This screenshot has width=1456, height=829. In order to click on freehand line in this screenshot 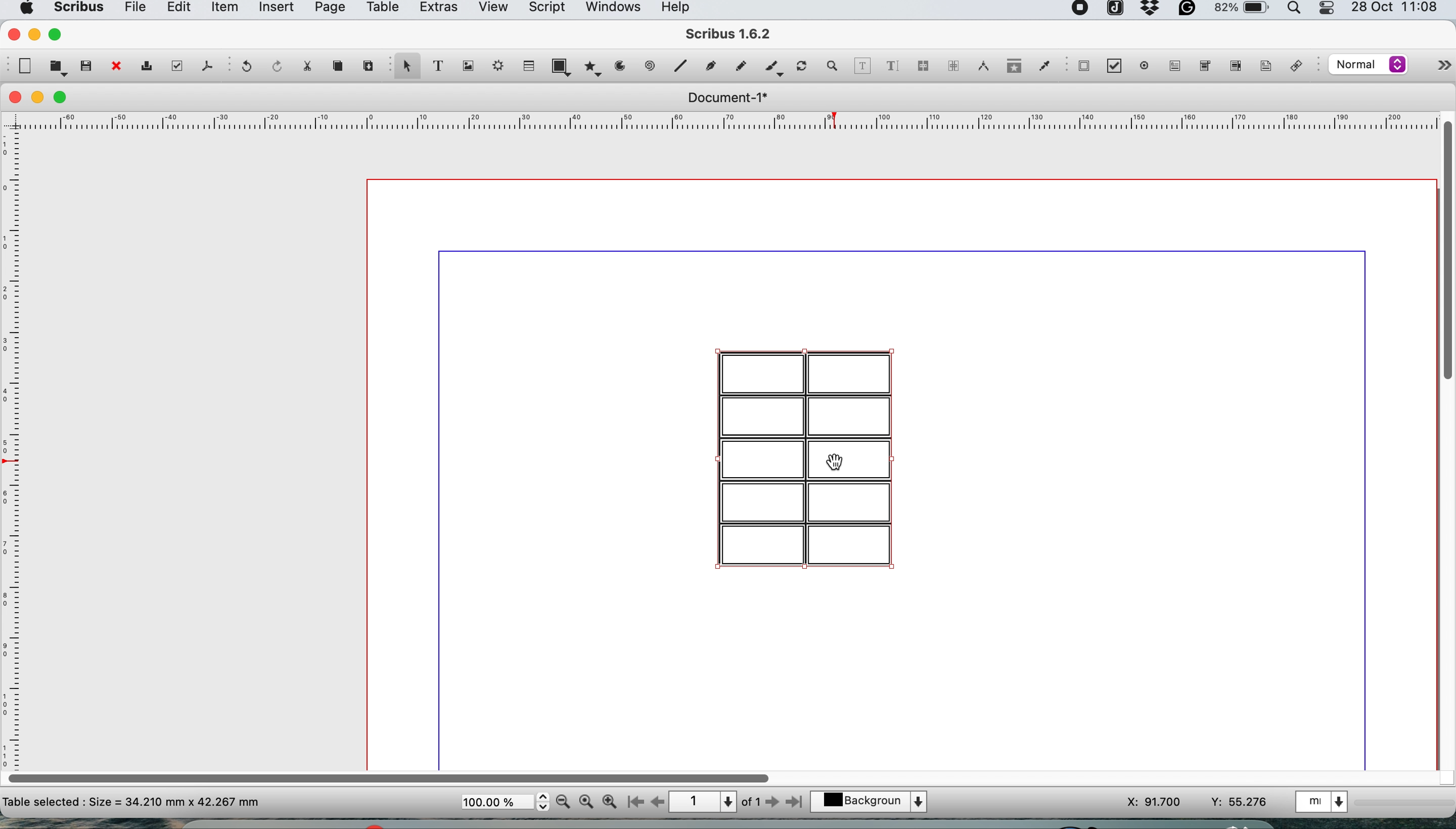, I will do `click(738, 66)`.